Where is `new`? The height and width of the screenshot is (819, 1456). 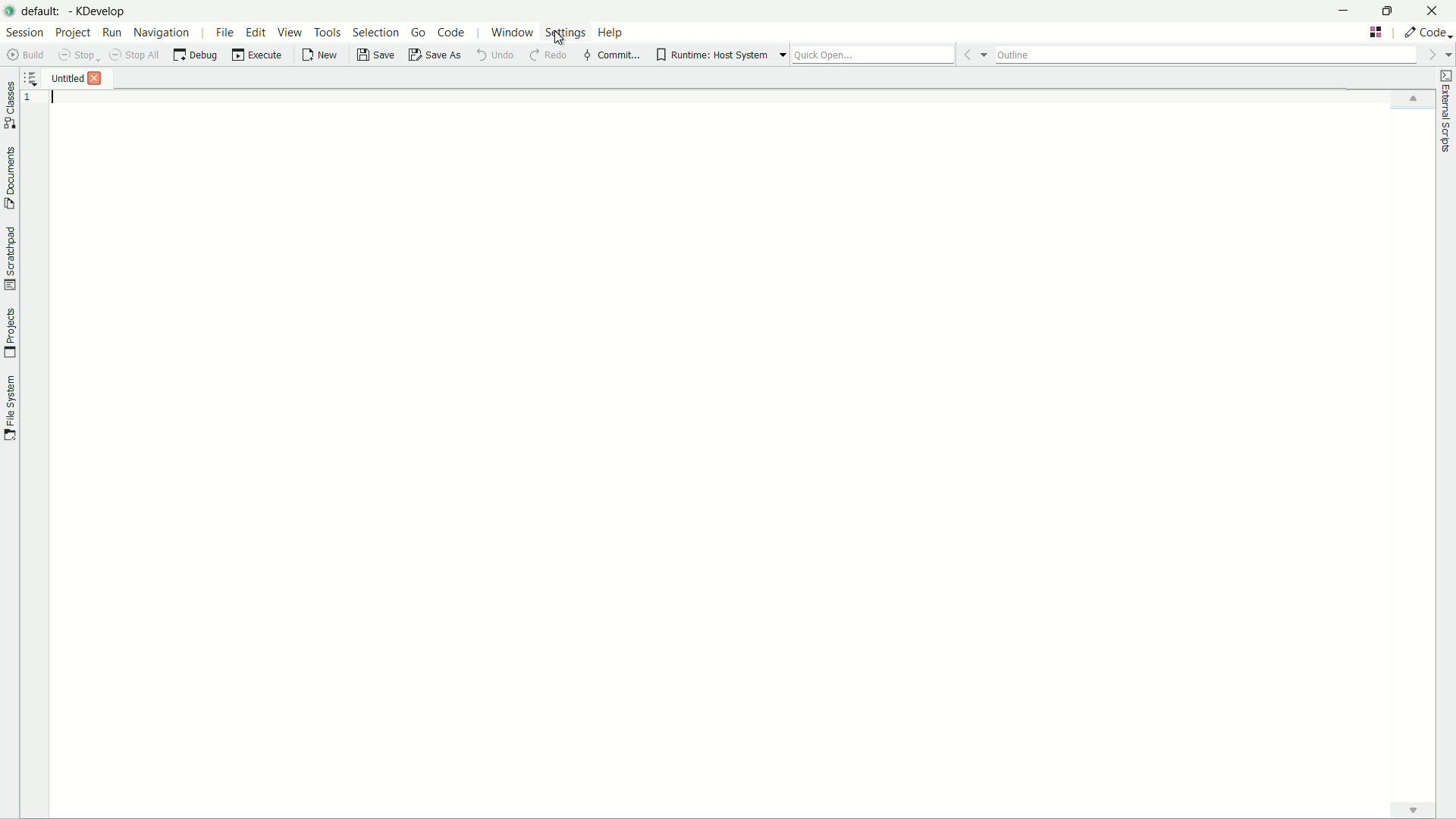 new is located at coordinates (322, 55).